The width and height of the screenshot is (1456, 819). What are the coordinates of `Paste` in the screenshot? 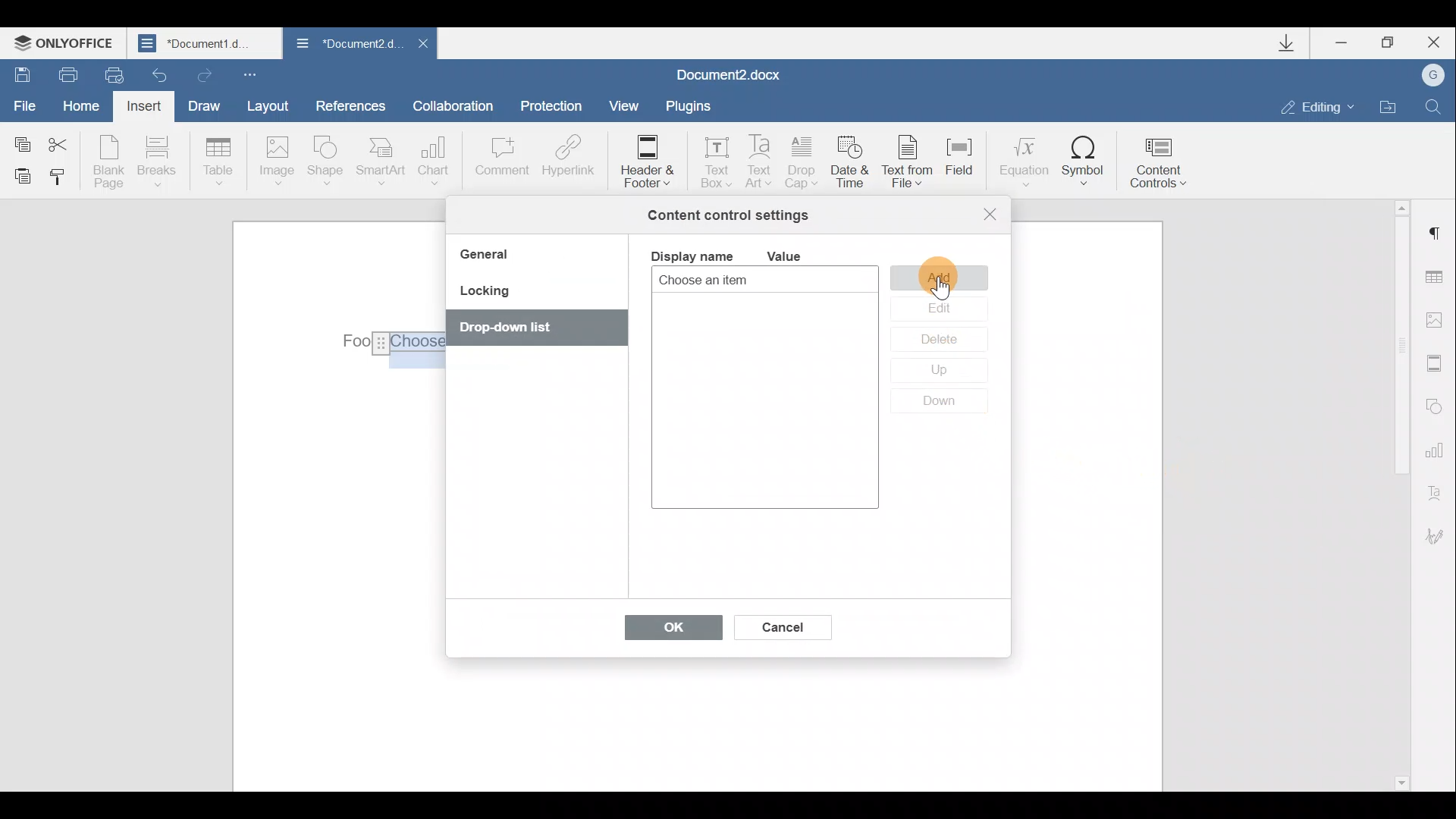 It's located at (17, 175).